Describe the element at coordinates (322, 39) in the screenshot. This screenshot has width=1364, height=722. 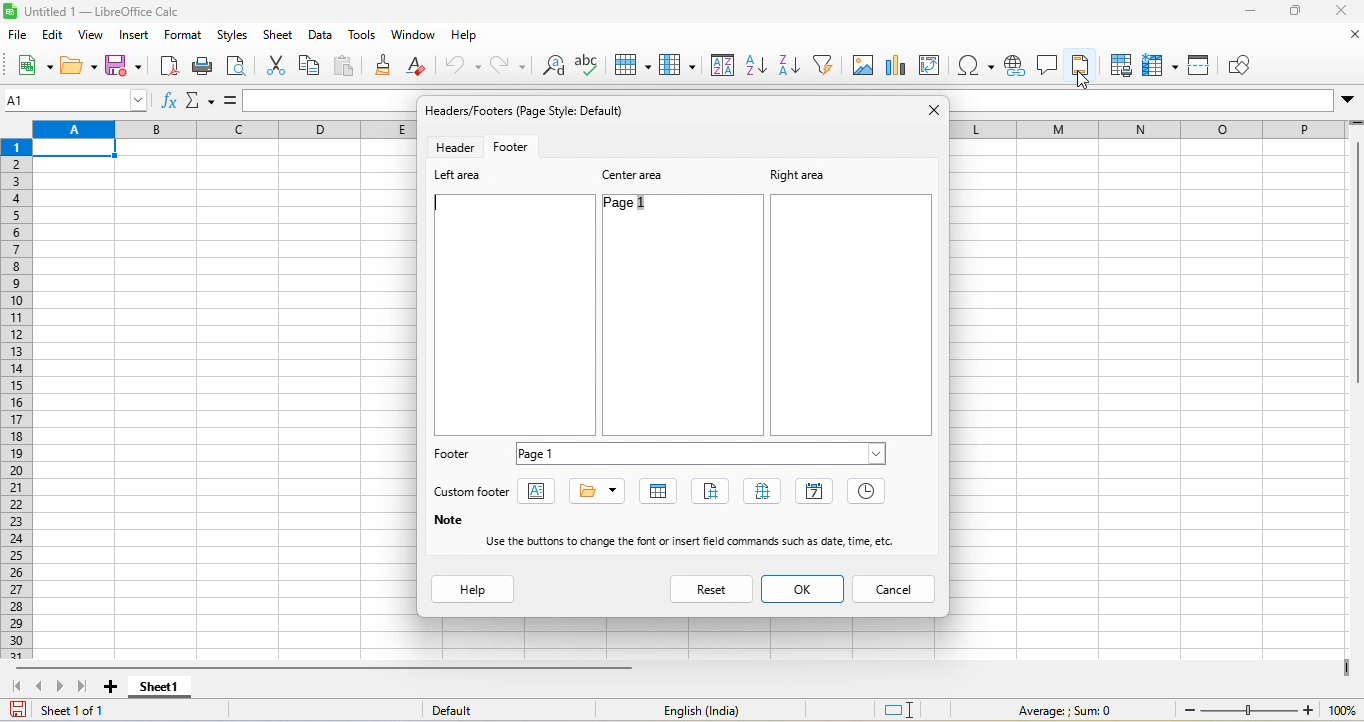
I see `data` at that location.